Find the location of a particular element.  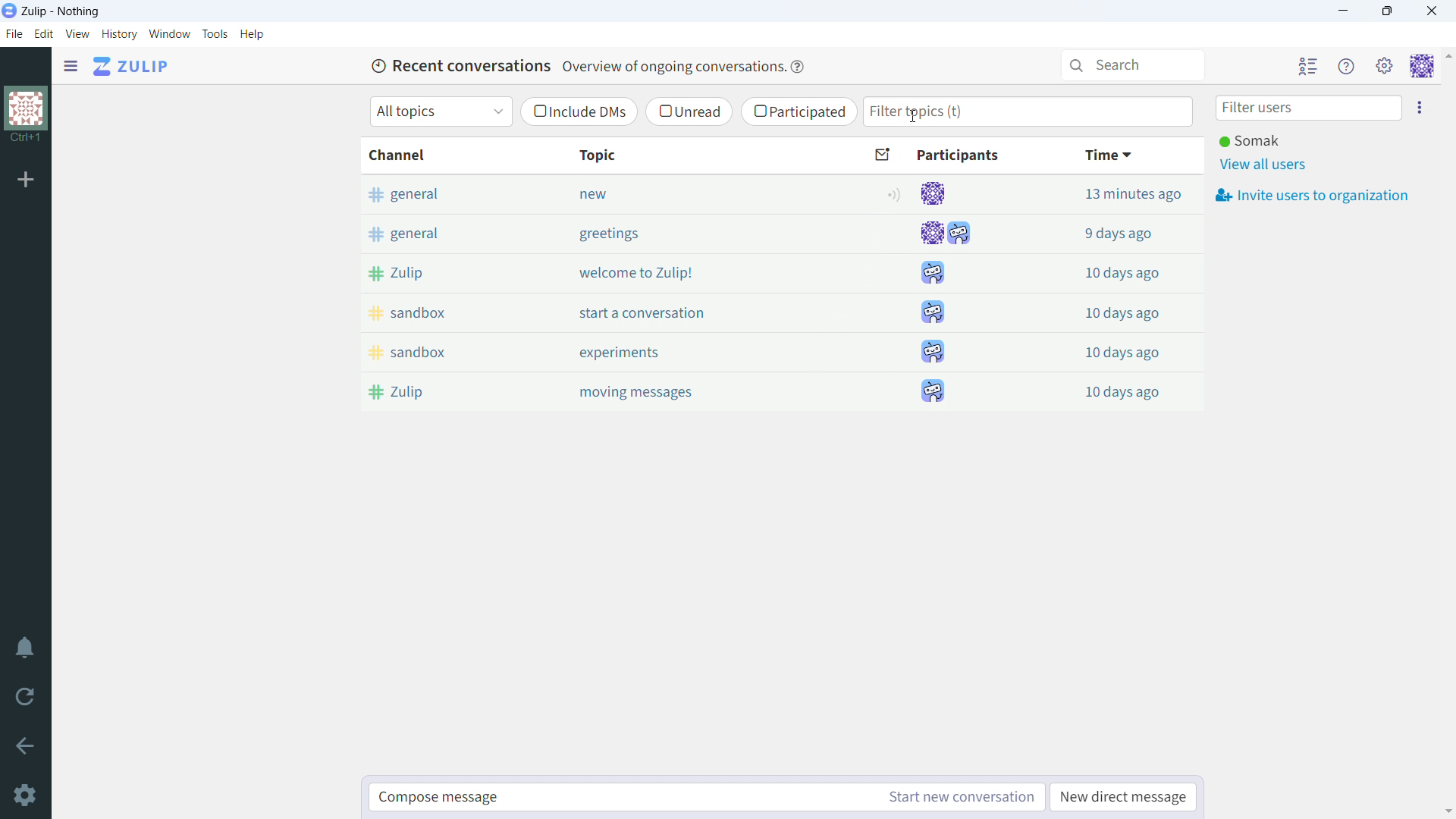

13 minutes ago is located at coordinates (1106, 193).